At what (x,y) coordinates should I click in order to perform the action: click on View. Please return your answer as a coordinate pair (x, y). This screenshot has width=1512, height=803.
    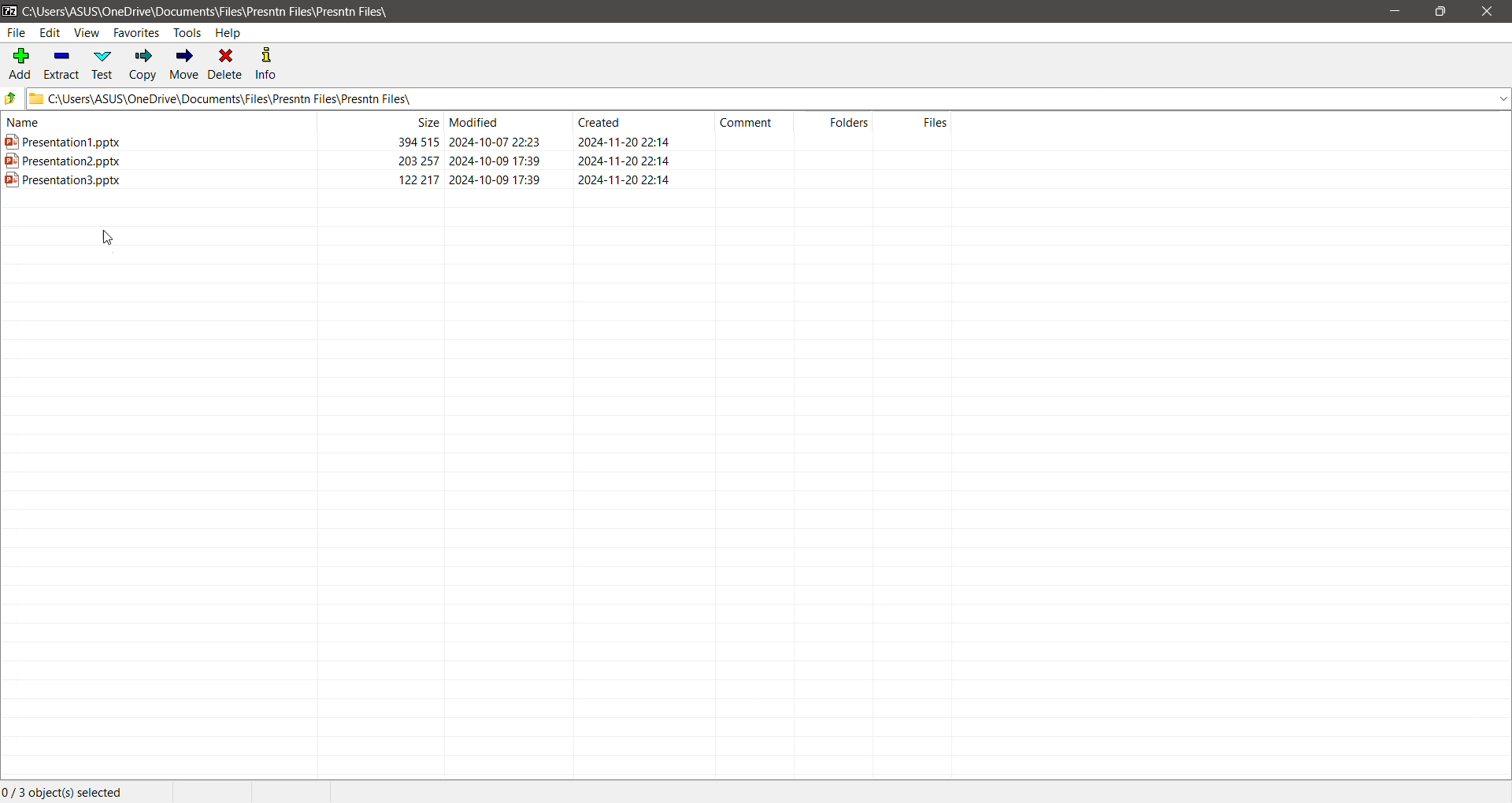
    Looking at the image, I should click on (87, 32).